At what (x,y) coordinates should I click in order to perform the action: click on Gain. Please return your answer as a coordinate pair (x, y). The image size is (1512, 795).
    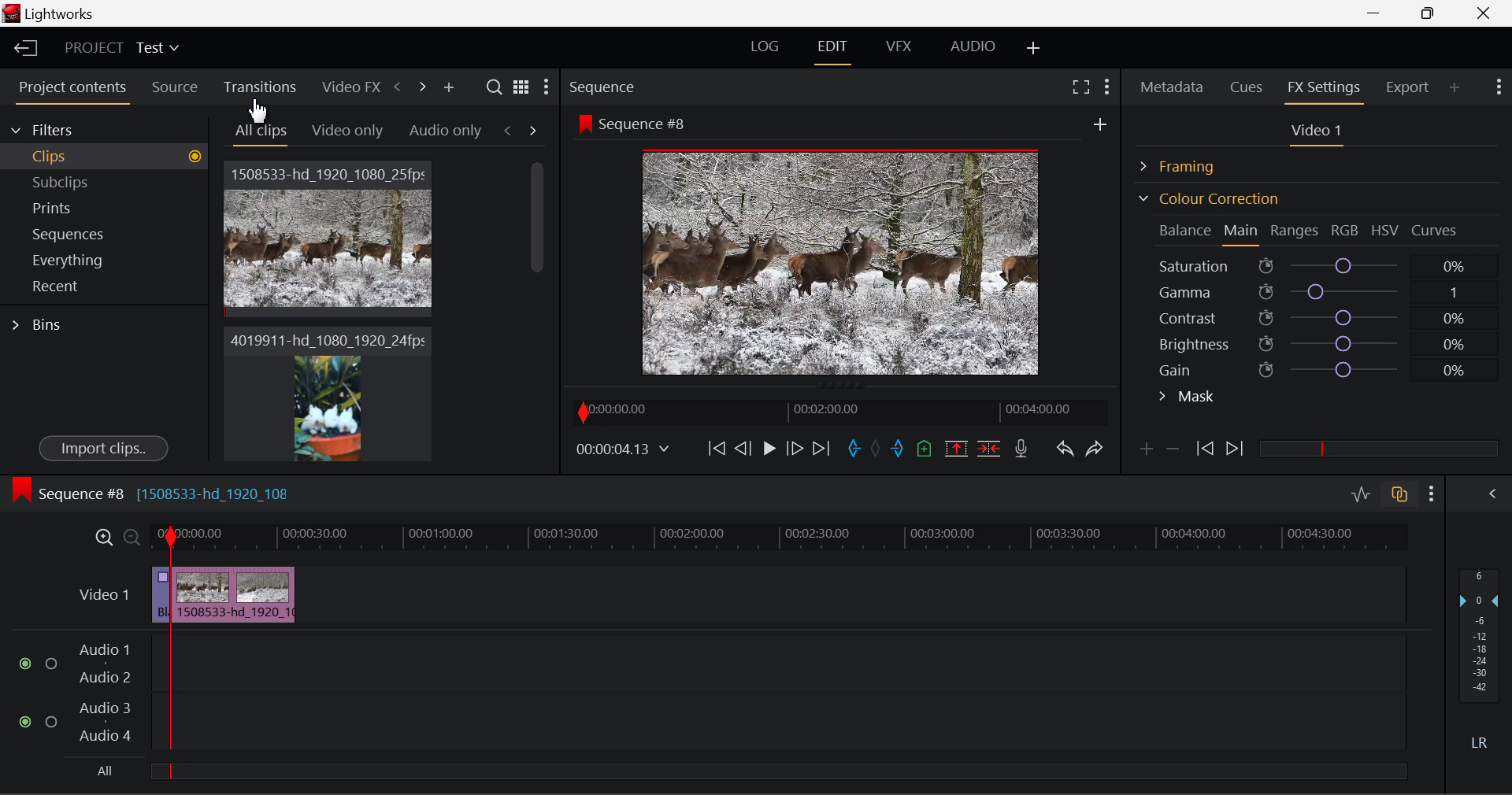
    Looking at the image, I should click on (1332, 367).